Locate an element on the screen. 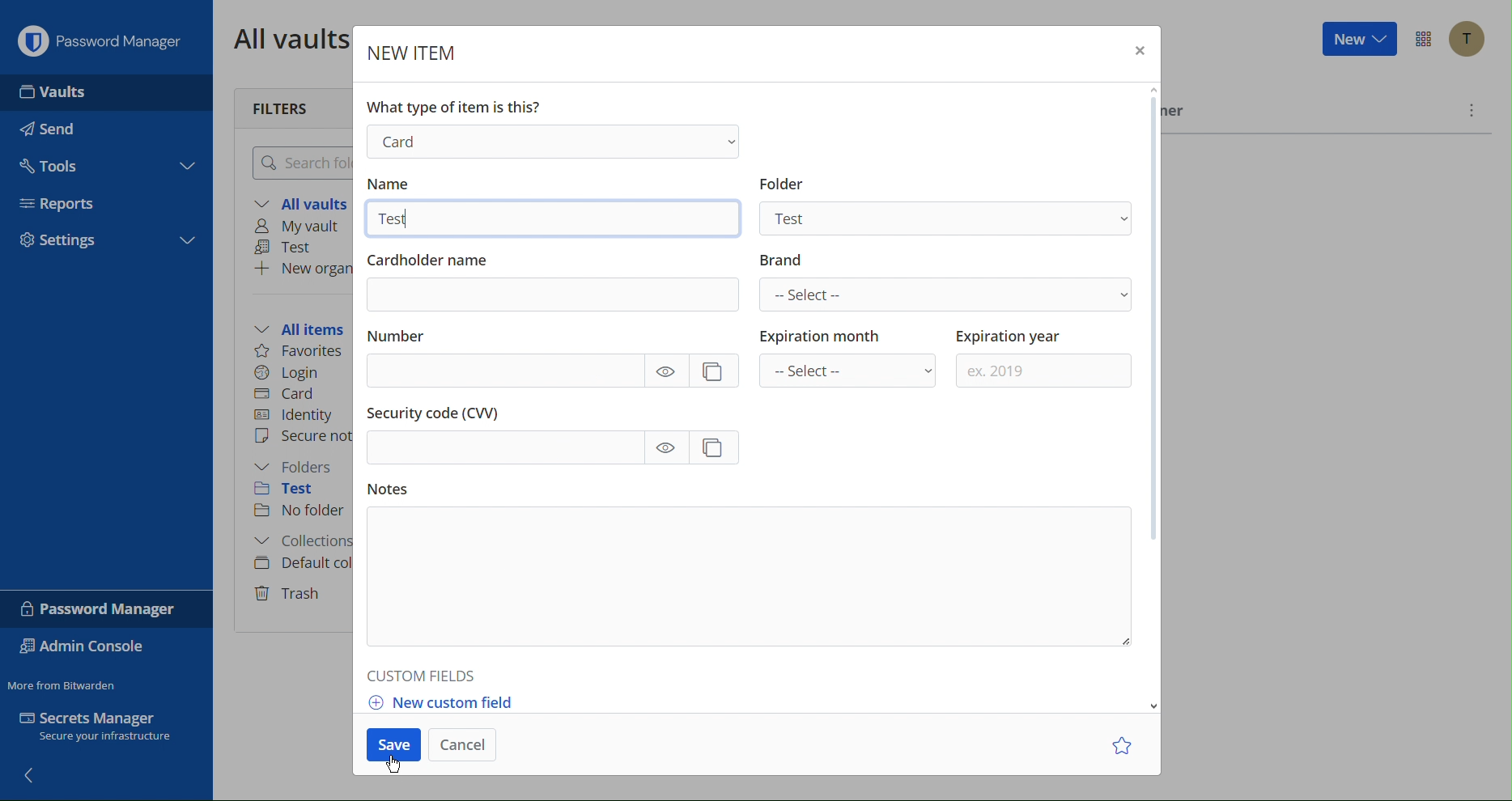 Image resolution: width=1512 pixels, height=801 pixels. Password Manager is located at coordinates (107, 609).